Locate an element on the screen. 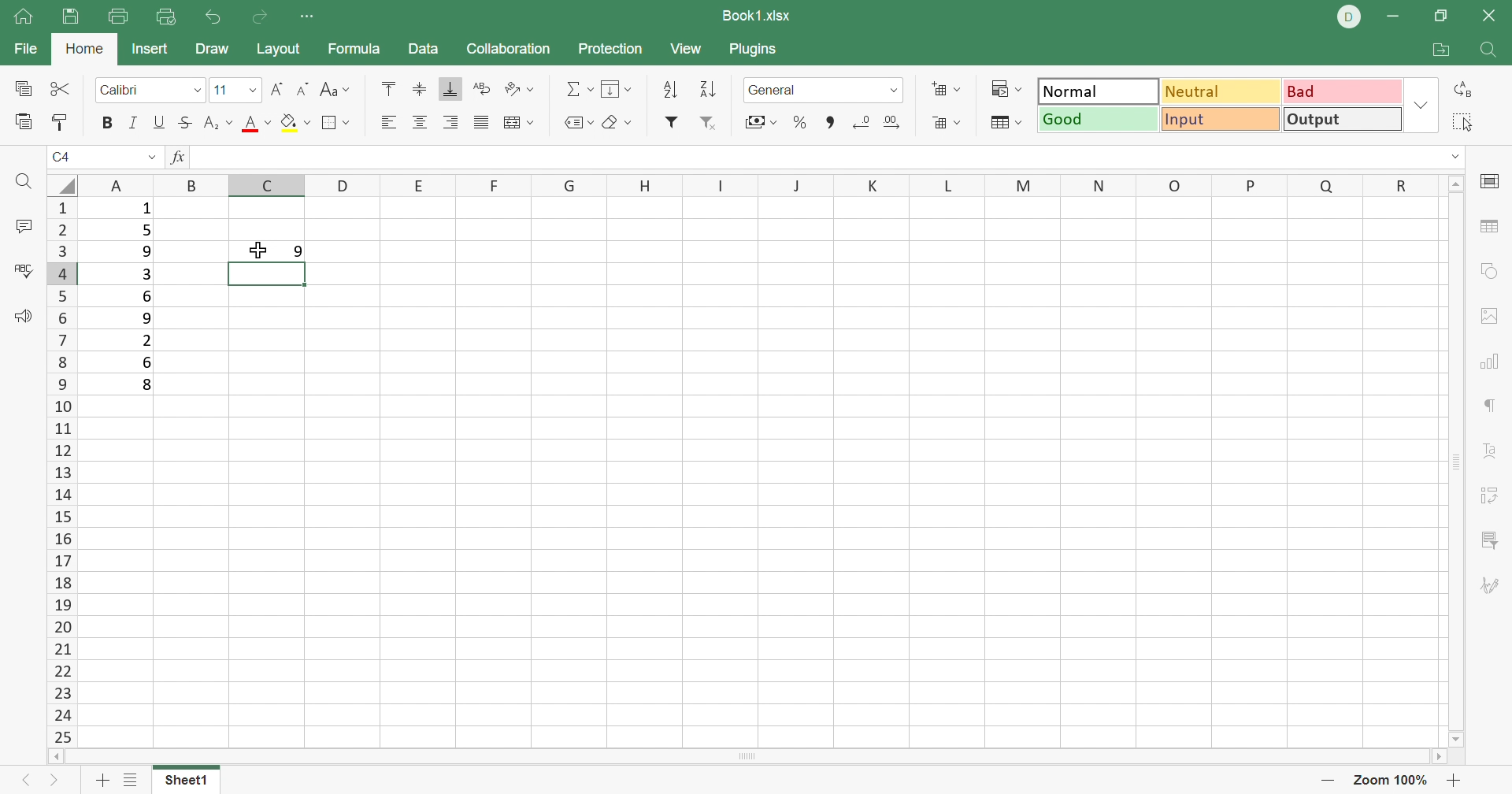  Bad is located at coordinates (1344, 92).